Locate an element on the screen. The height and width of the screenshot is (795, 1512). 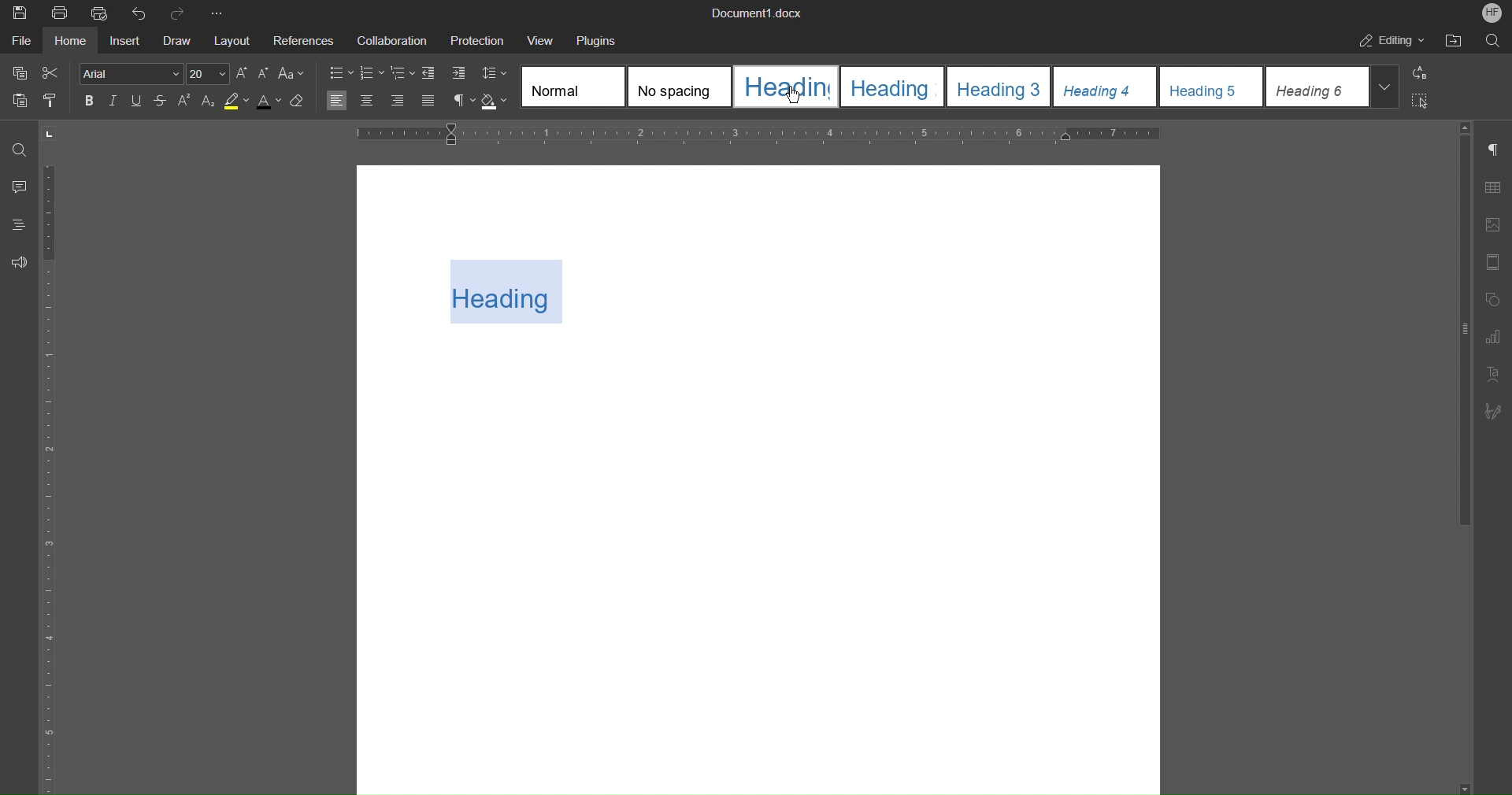
Print is located at coordinates (64, 15).